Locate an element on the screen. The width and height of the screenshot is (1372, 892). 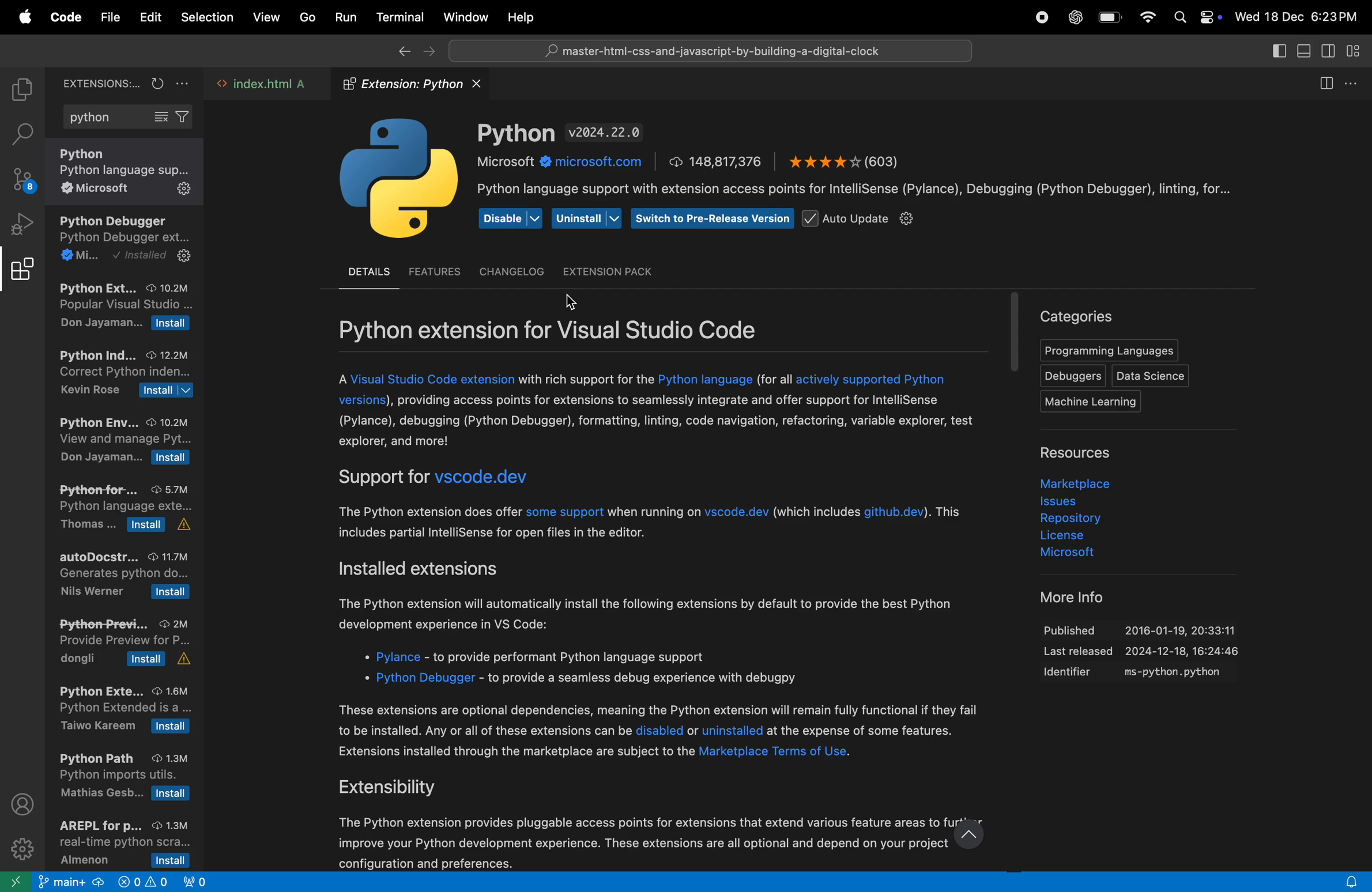
selection is located at coordinates (207, 20).